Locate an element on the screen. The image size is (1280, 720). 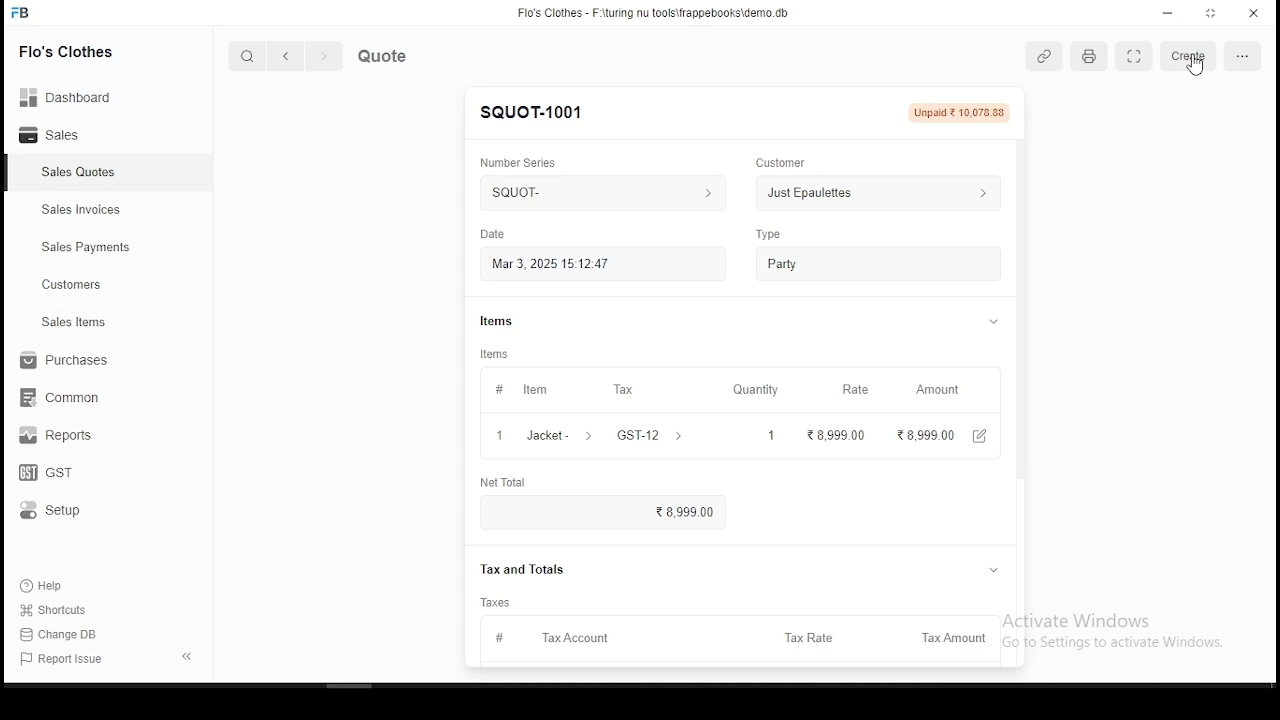
setup is located at coordinates (66, 511).